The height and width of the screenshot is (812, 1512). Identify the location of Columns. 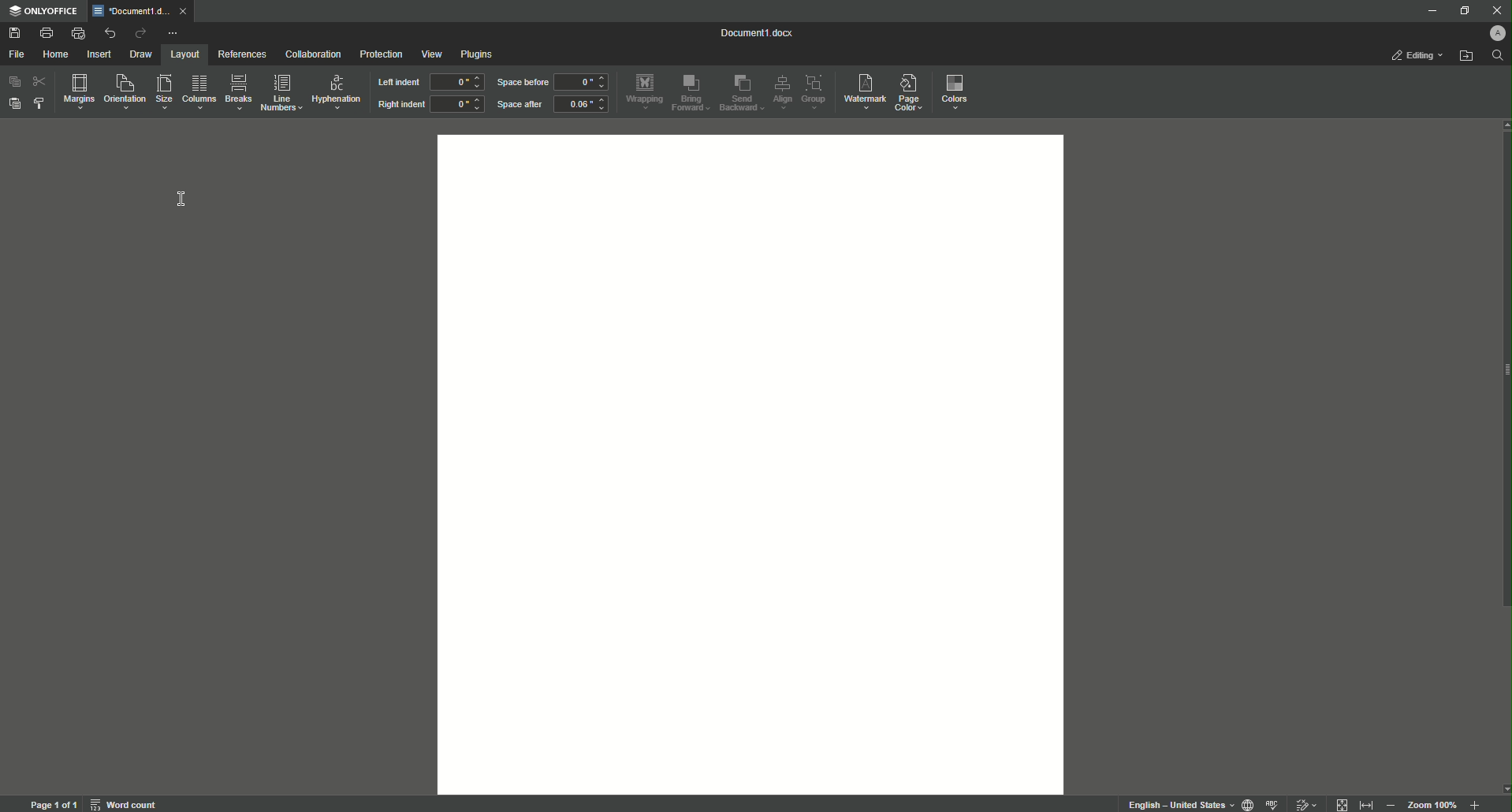
(199, 94).